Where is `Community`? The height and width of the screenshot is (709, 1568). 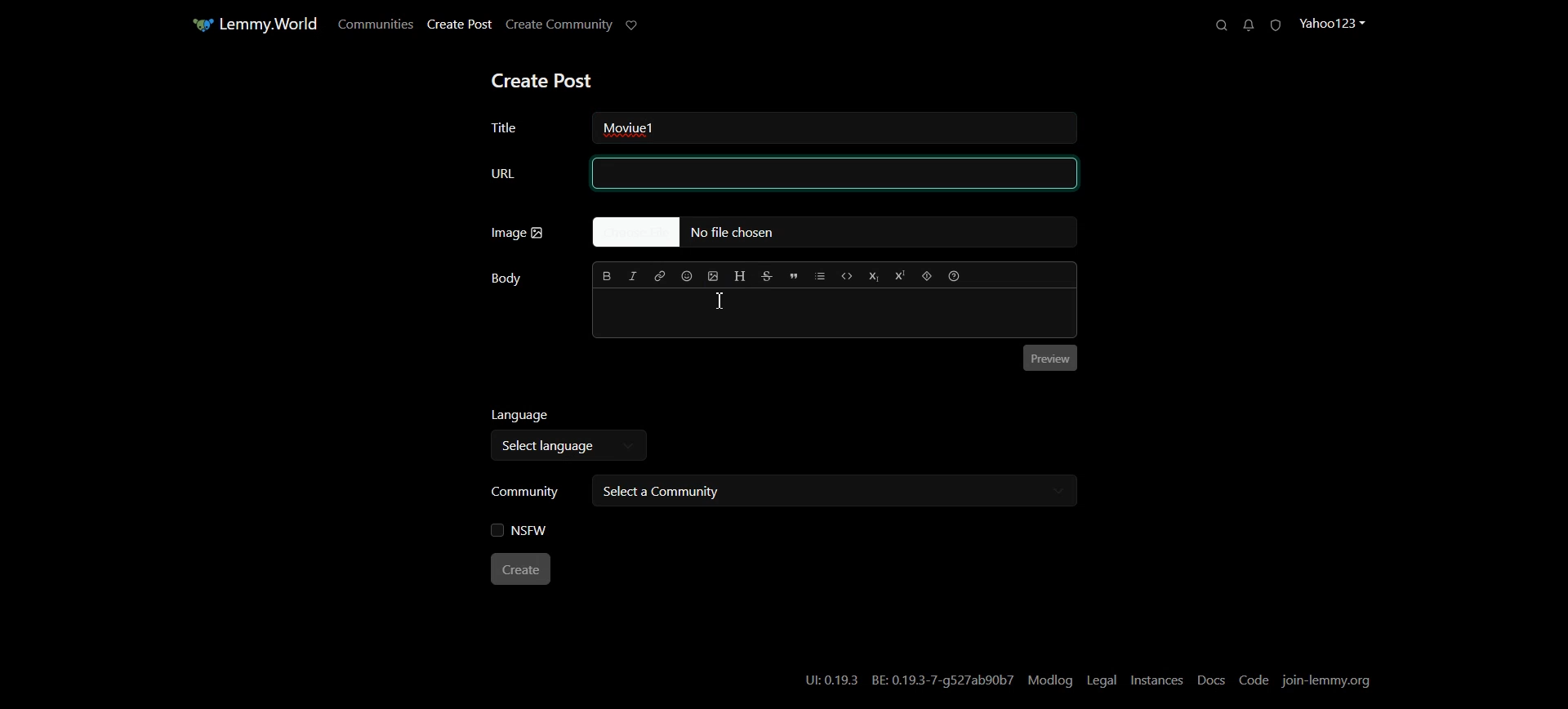
Community is located at coordinates (526, 489).